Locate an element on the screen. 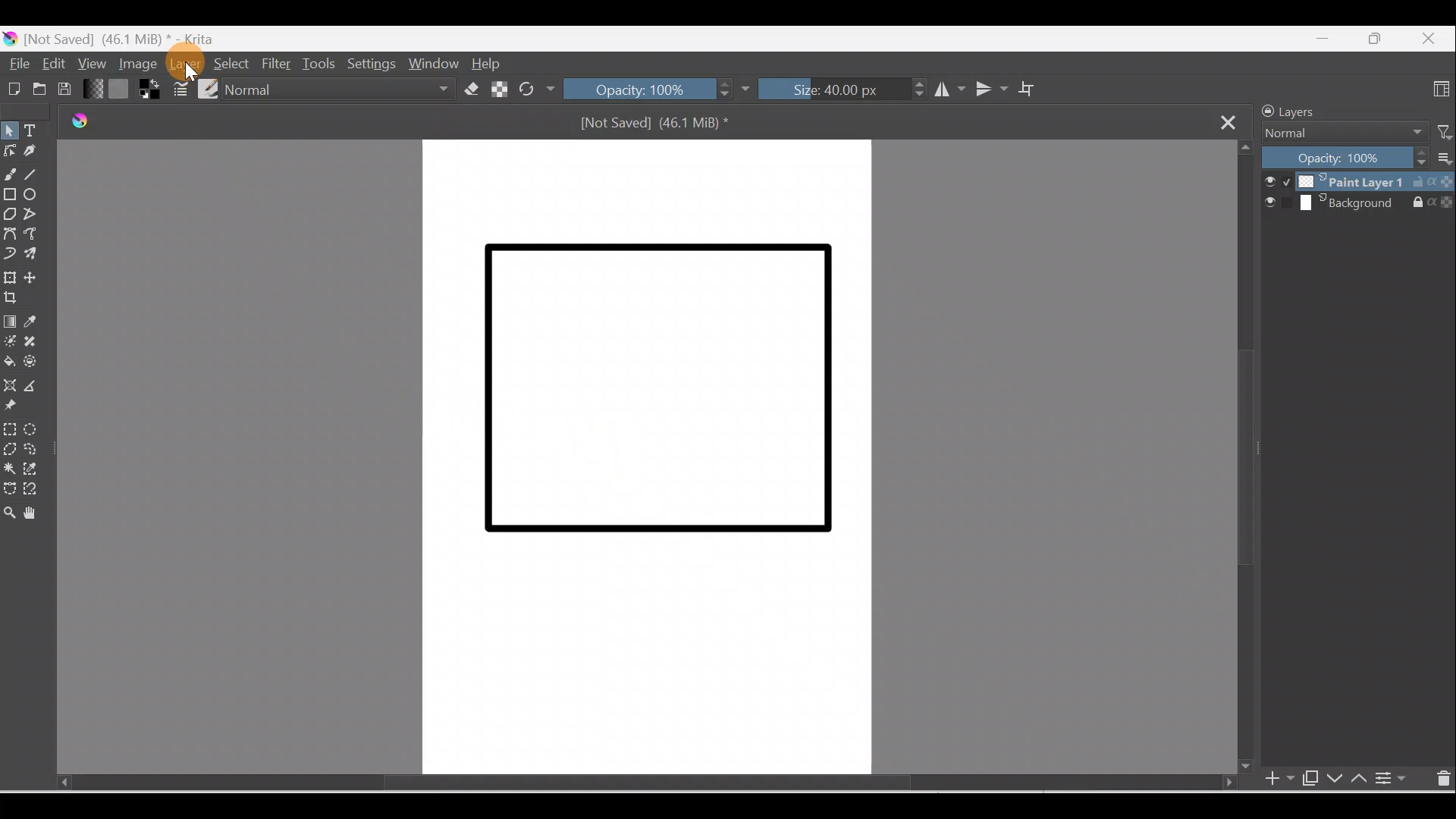 The image size is (1456, 819). Dynamic brush tool is located at coordinates (9, 254).